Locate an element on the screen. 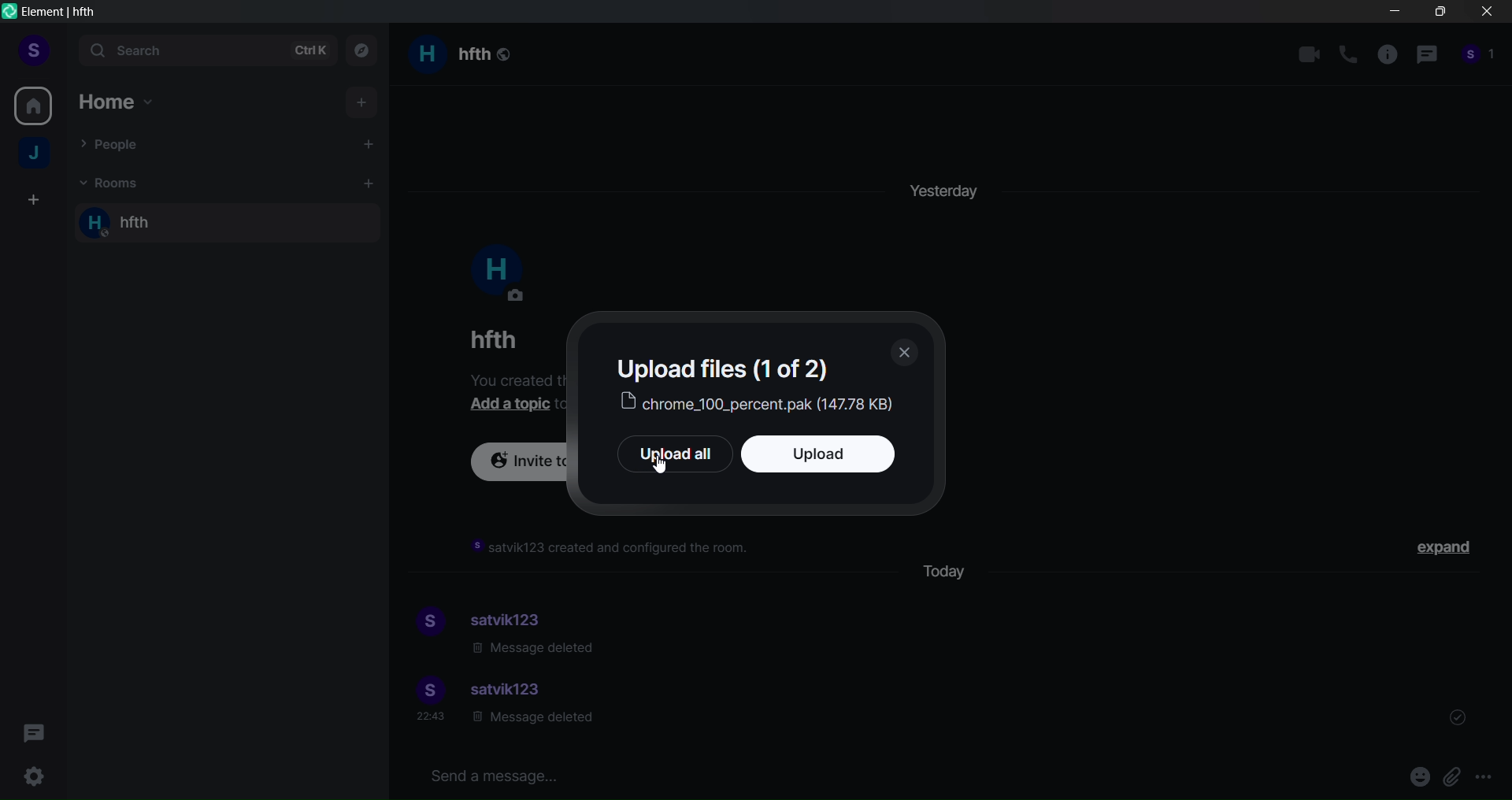 The width and height of the screenshot is (1512, 800). text is located at coordinates (731, 367).